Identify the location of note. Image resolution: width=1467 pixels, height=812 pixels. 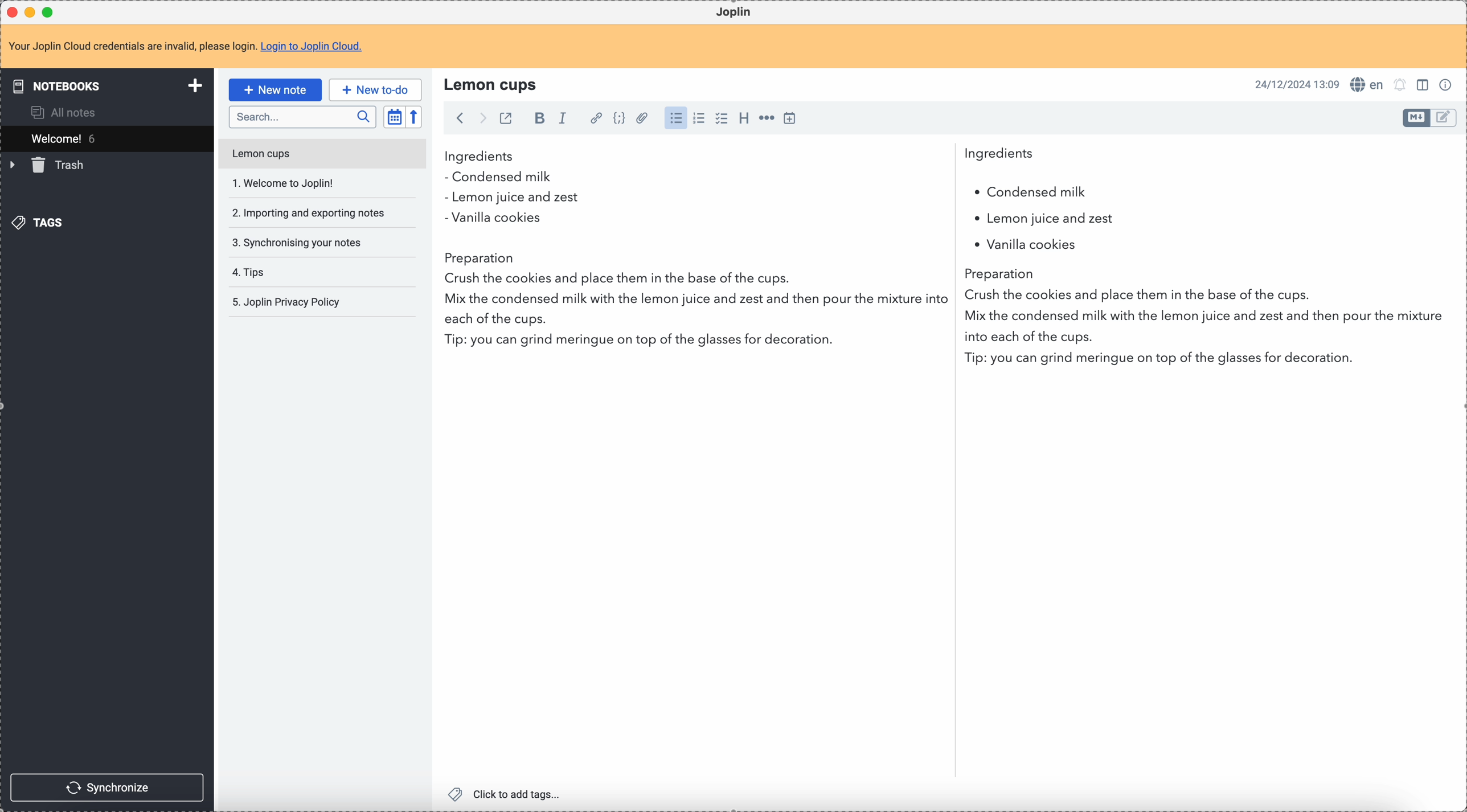
(192, 47).